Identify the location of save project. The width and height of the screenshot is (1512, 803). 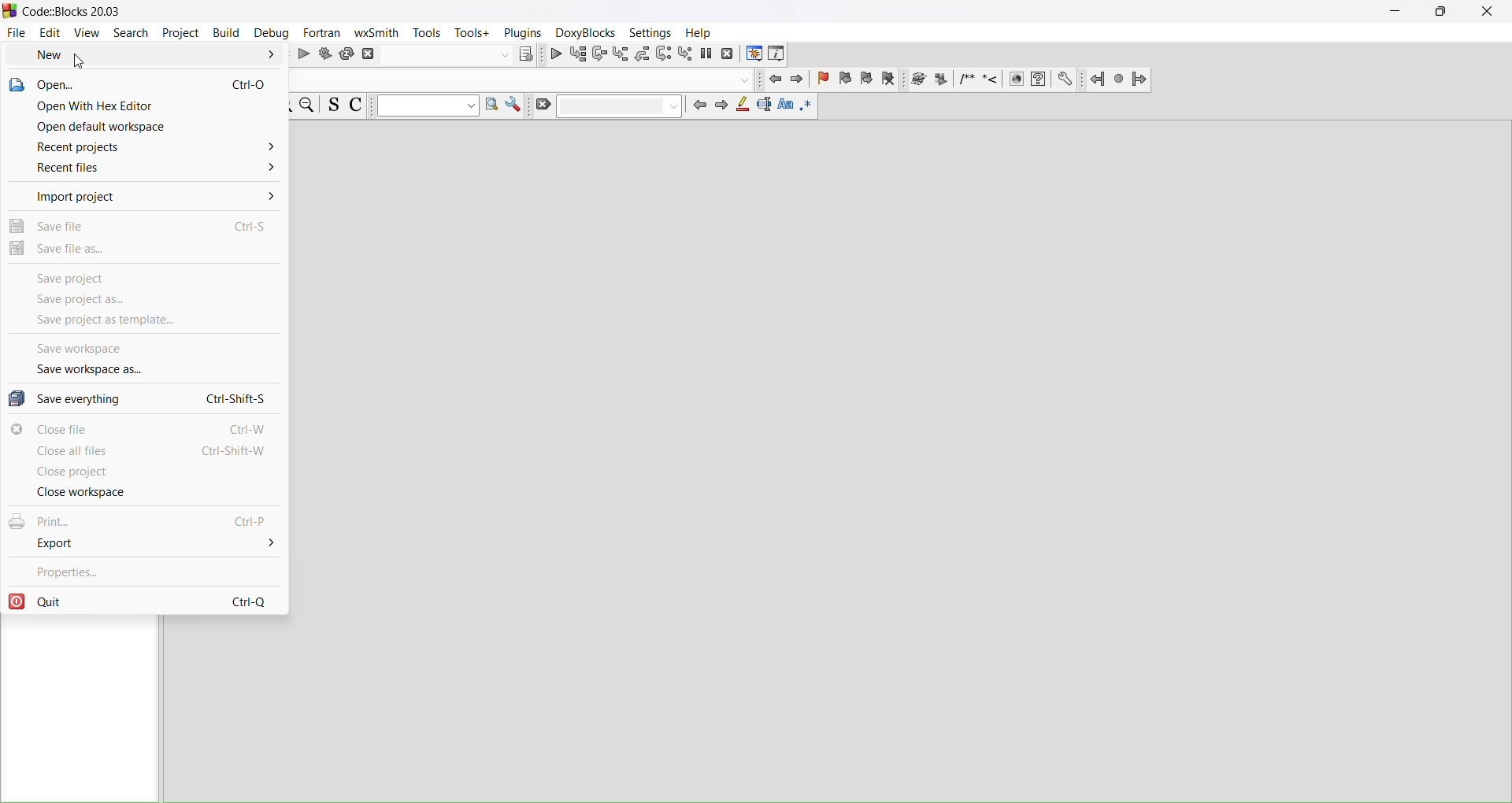
(145, 277).